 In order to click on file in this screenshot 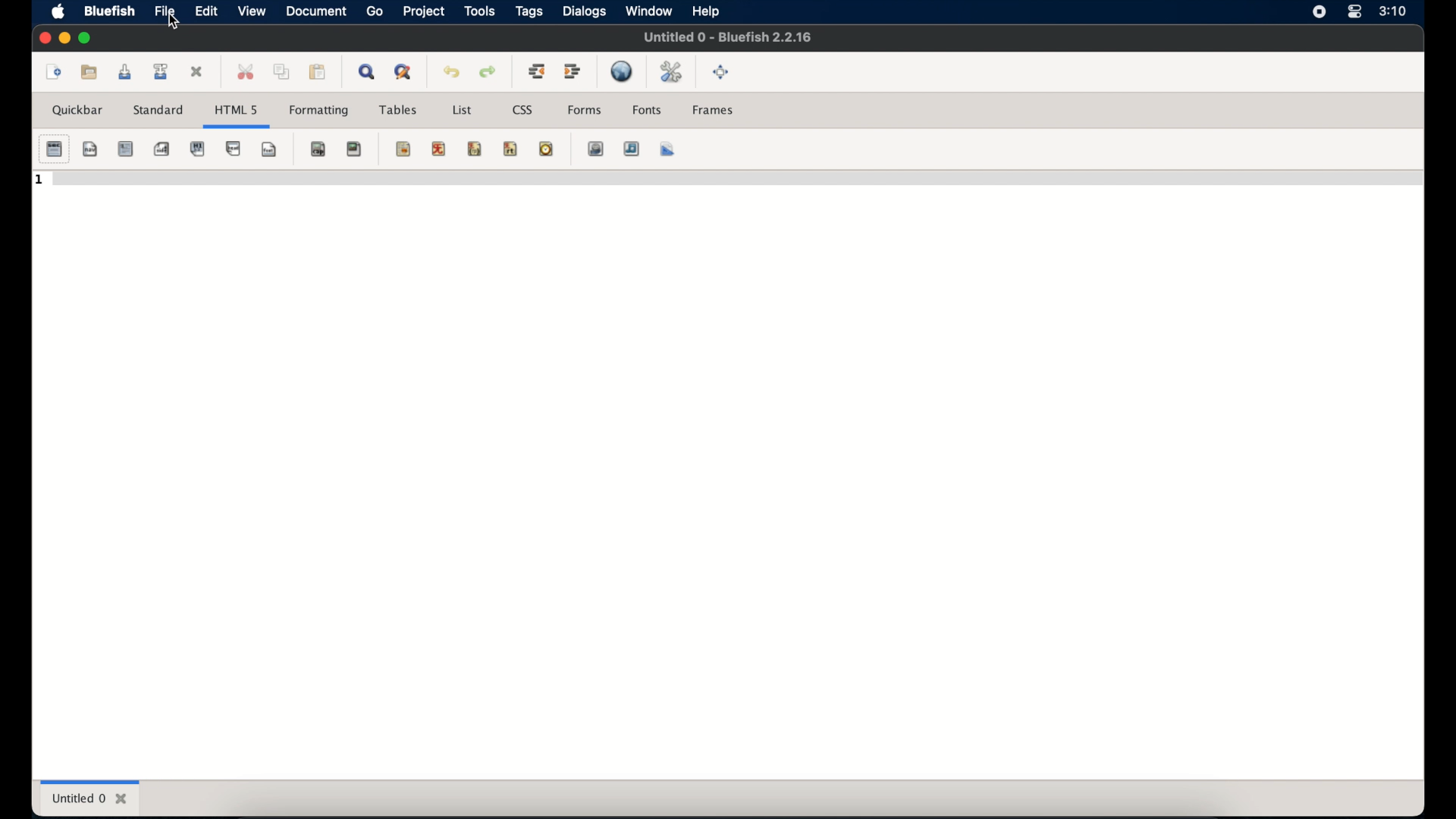, I will do `click(165, 11)`.